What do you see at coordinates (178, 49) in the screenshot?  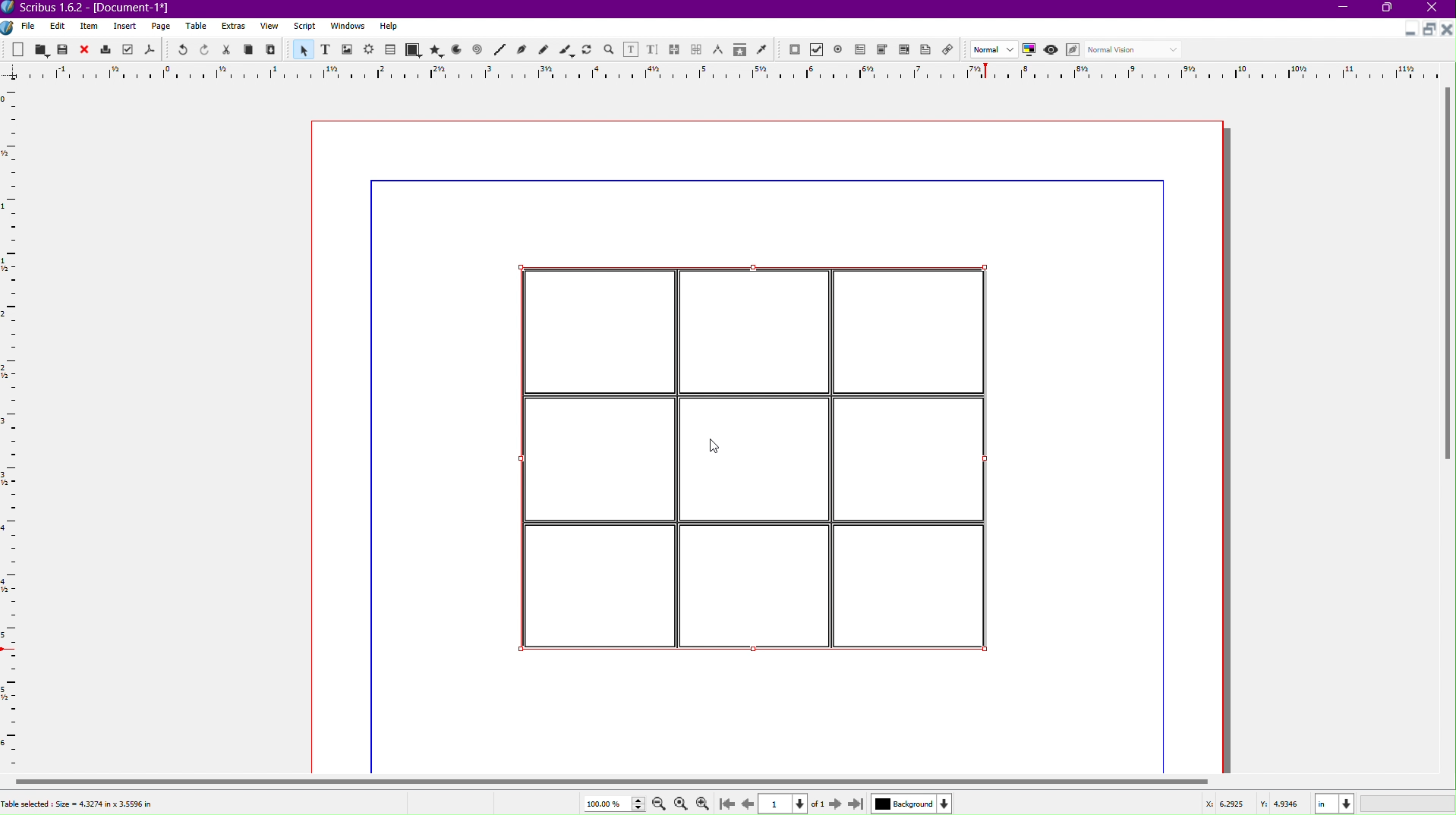 I see `Undo` at bounding box center [178, 49].